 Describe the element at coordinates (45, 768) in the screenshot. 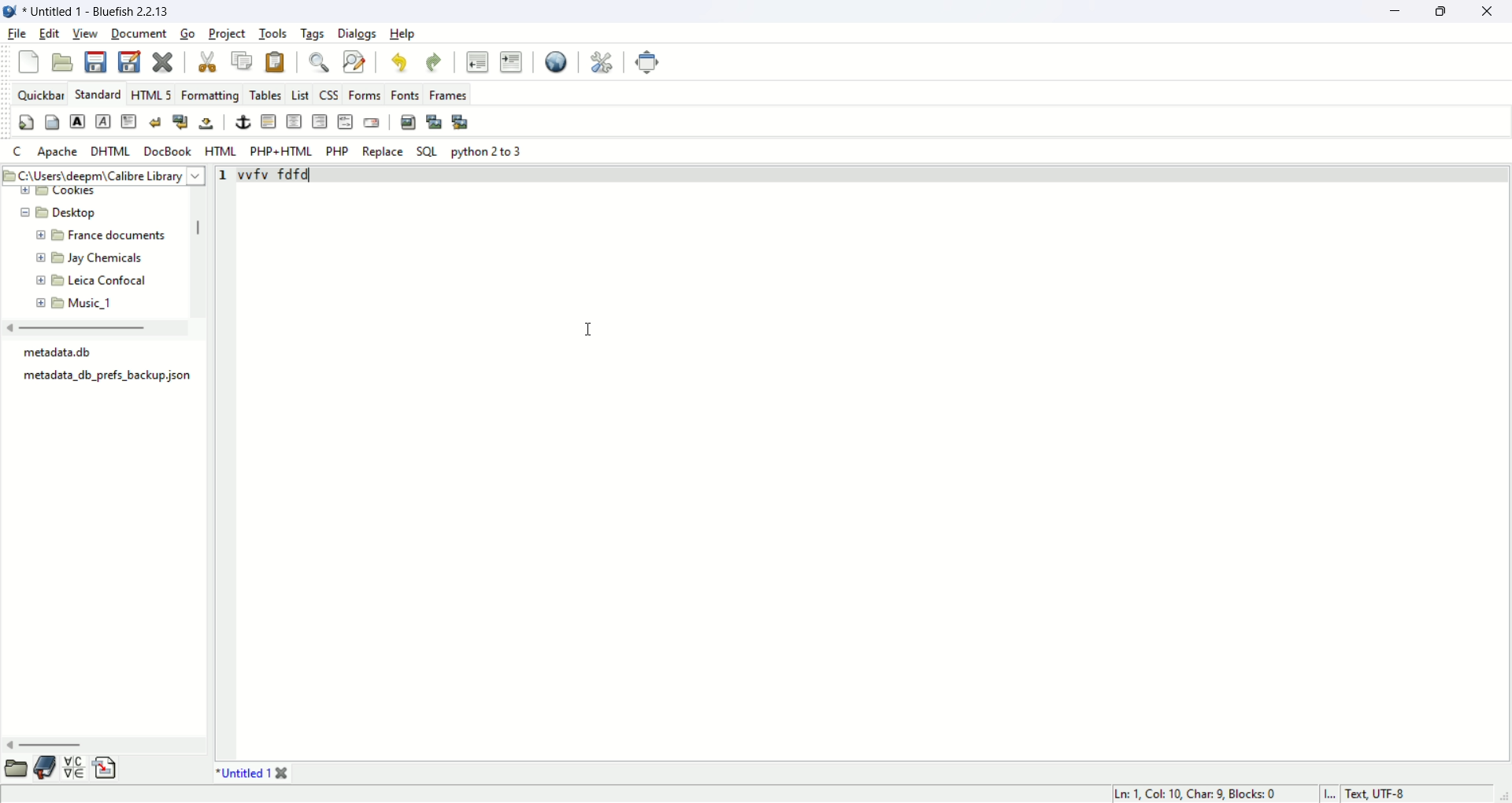

I see `bookmark` at that location.